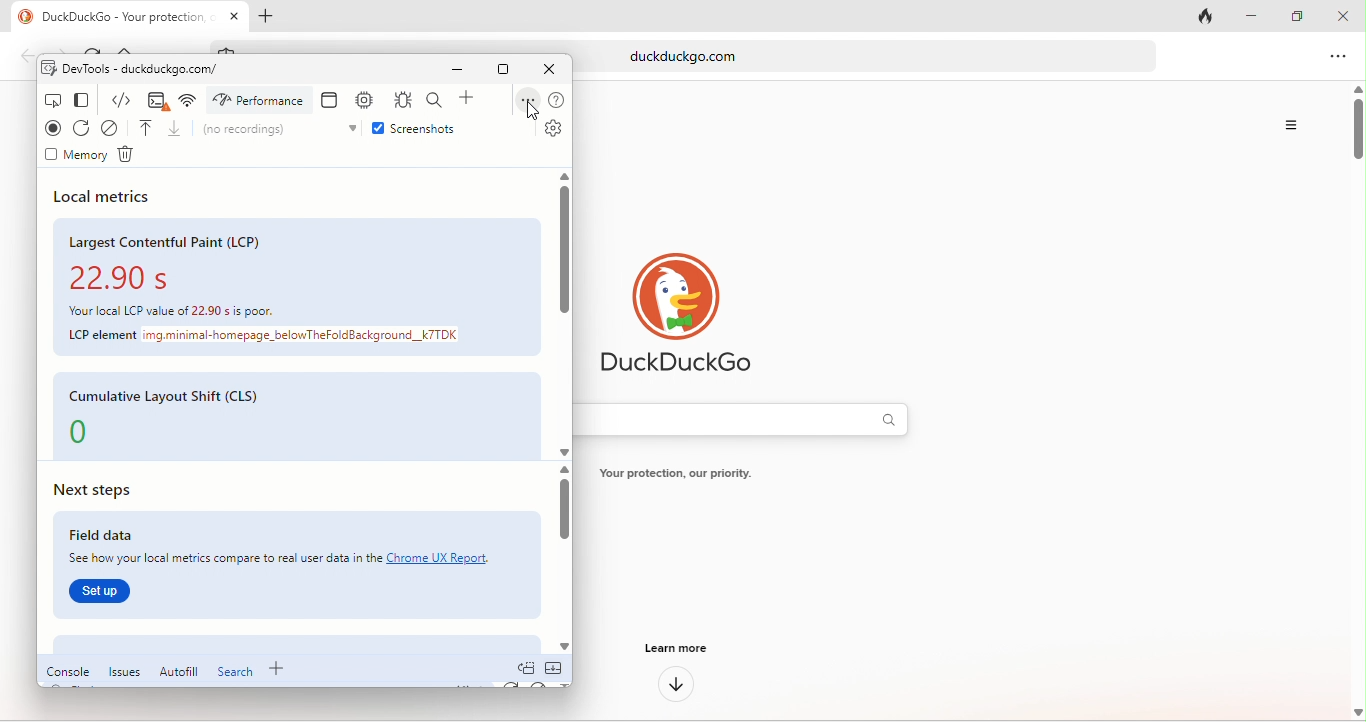  What do you see at coordinates (24, 15) in the screenshot?
I see `duckduck go logo` at bounding box center [24, 15].